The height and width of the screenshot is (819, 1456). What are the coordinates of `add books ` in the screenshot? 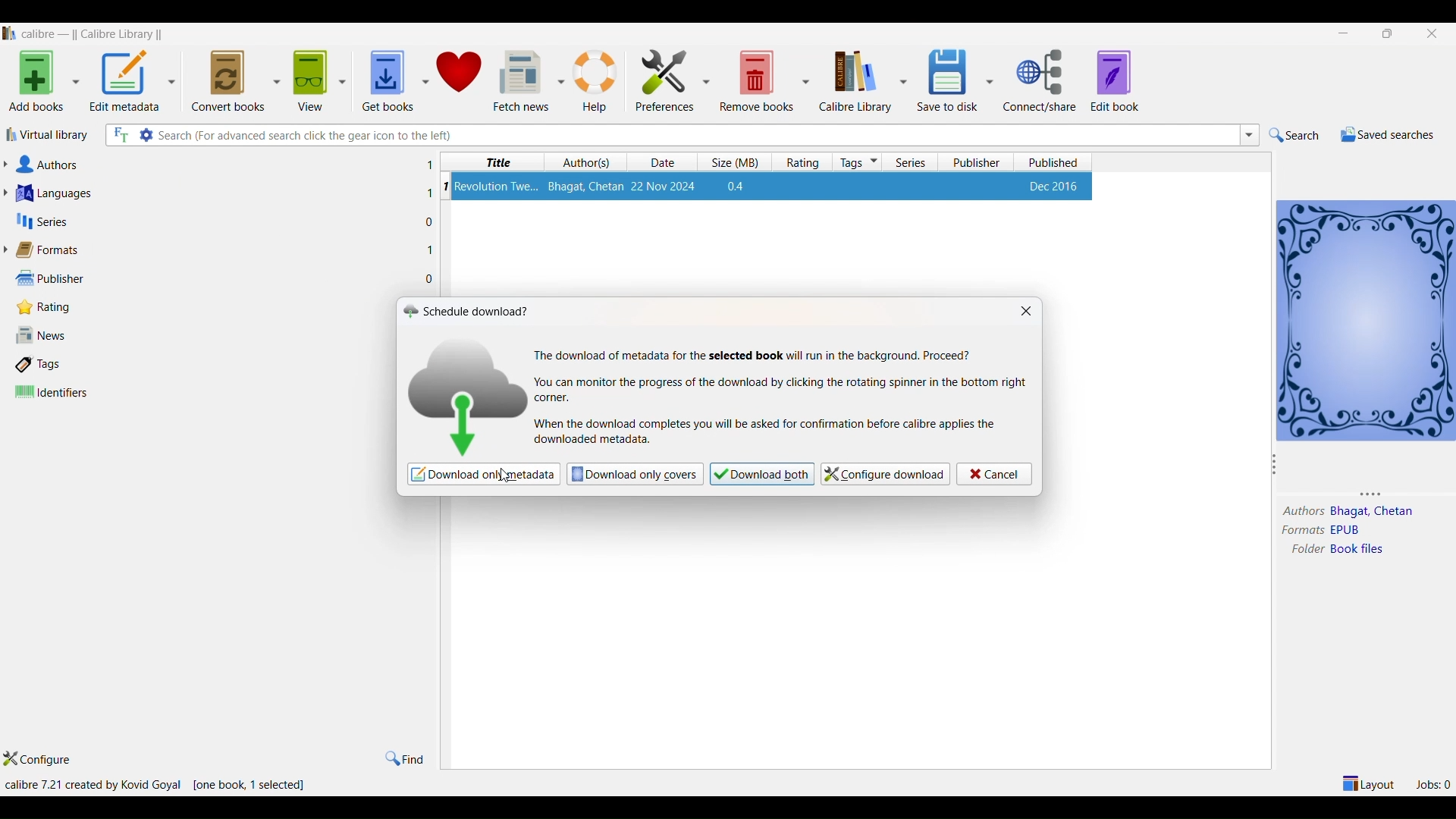 It's located at (34, 80).